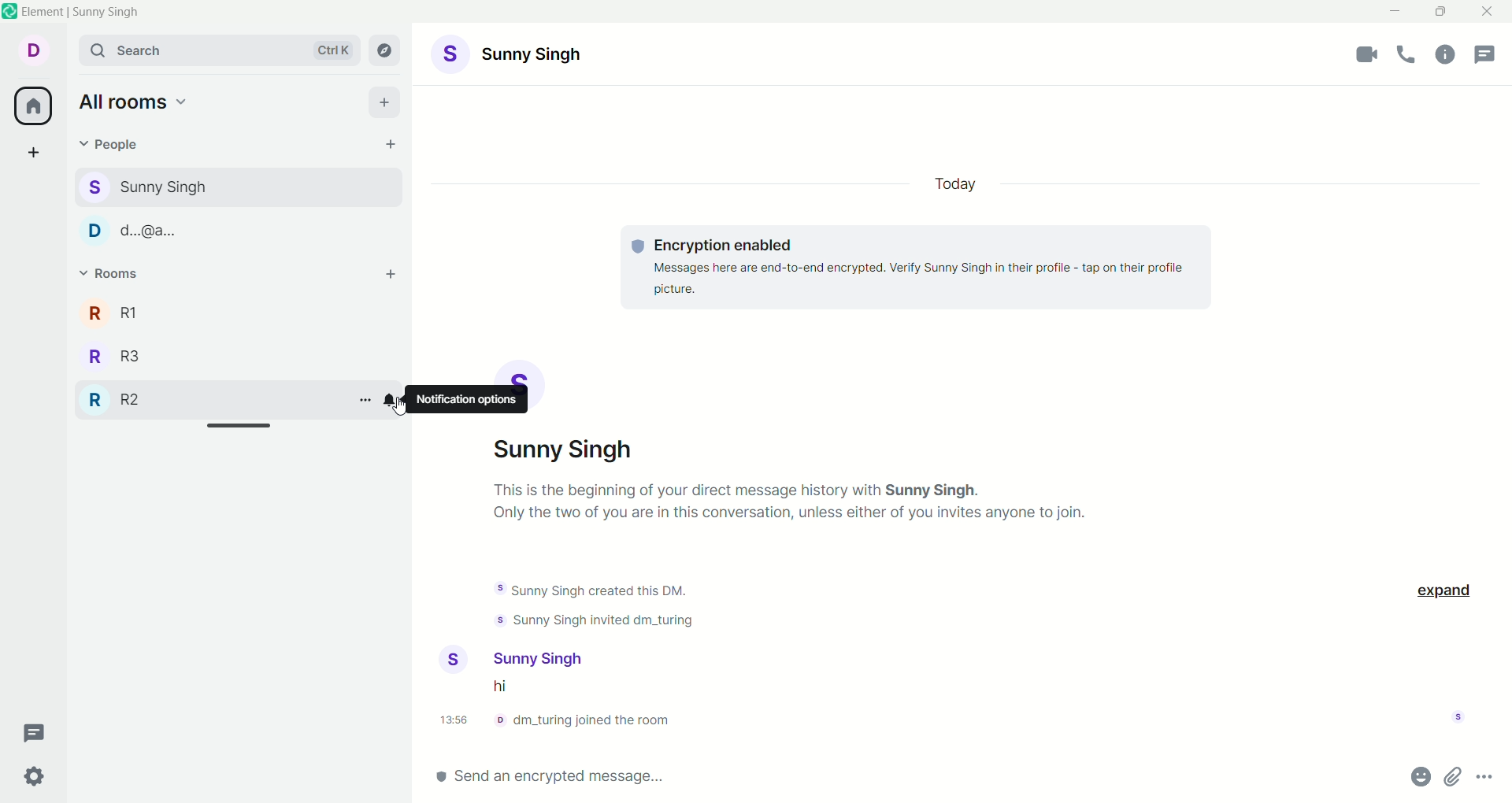  Describe the element at coordinates (396, 409) in the screenshot. I see `CURSOR` at that location.